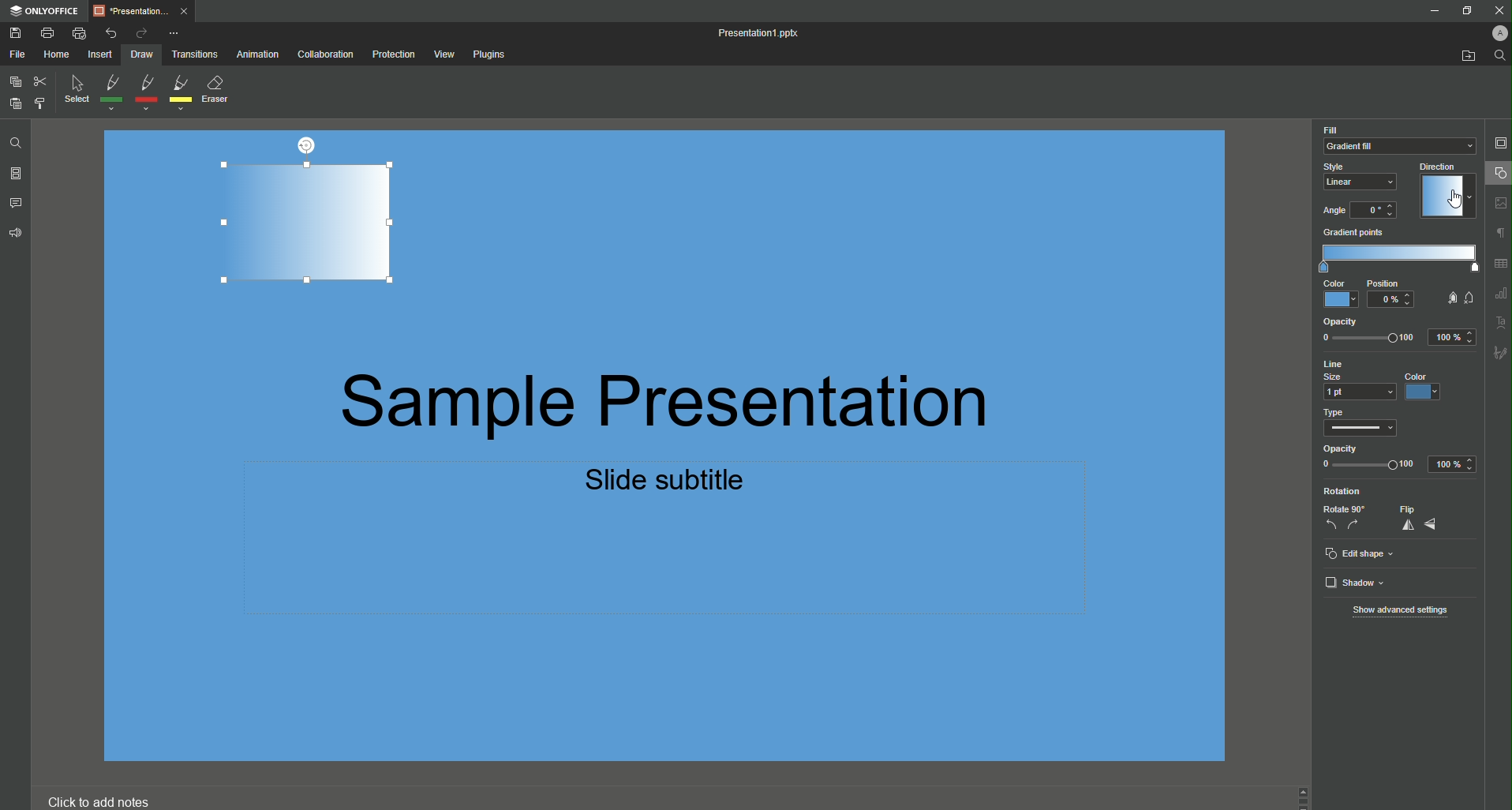  What do you see at coordinates (13, 82) in the screenshot?
I see `Copy` at bounding box center [13, 82].